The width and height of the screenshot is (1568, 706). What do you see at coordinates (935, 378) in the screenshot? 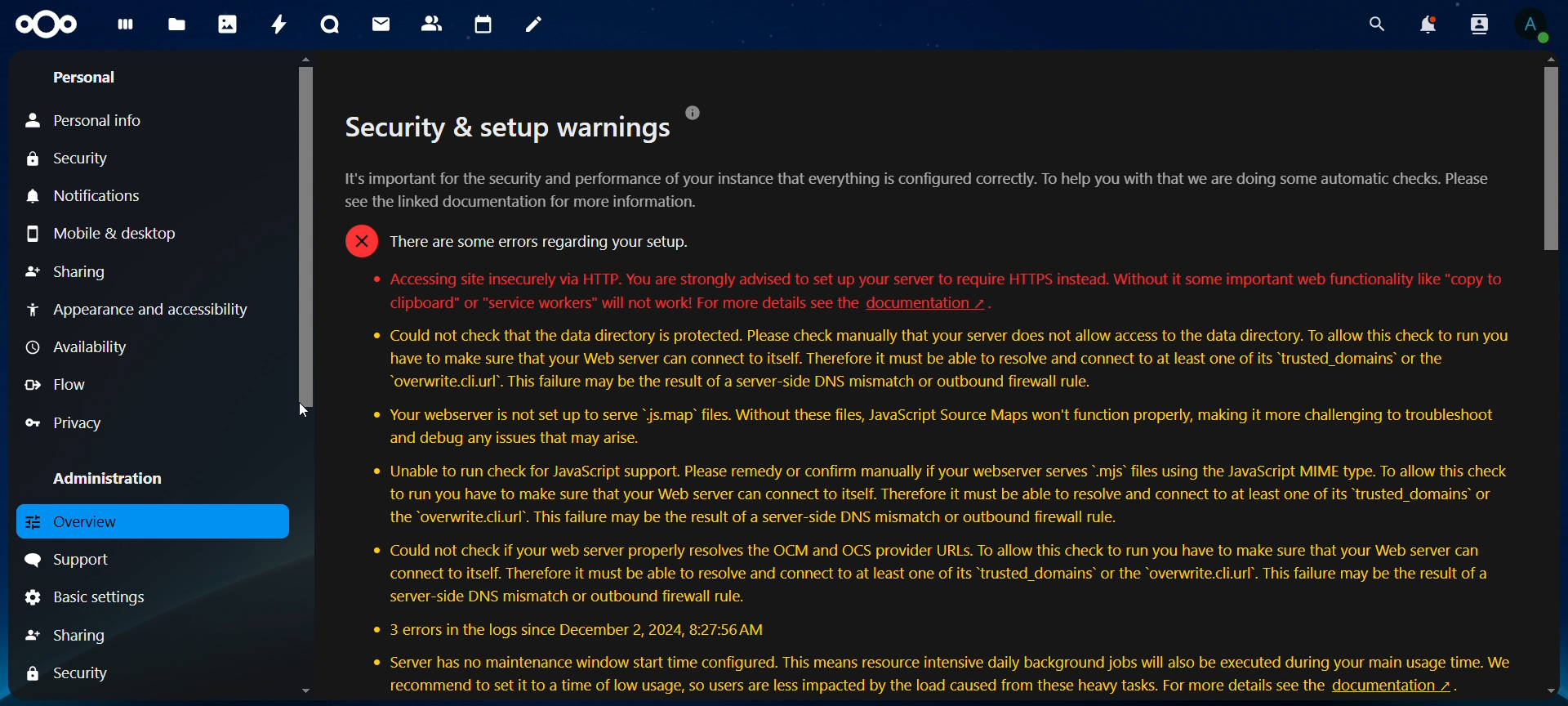
I see `. . [J]
Security & setup warnings
It's important for the security and performance of your instance that everything is configured correctly. To help you with that we are doing some automatic checks. Please
see the linked documentation for more information.
x] There are some errors regarding your setup.

* Accessing site insecurely via HTTP. You are strongly advised to set up your server to require HTTPS instead. Without it some important web functionality like “copy to
clipboard” or "service workers" will not work! For more details see the documentation ~ .

* Could not check that the data directory is protected. Please check manually that your server does not allow access to the data directory. To allow this check to run you
have to make sure that your Web server can connect to itself. Therefore it must be able to resolve and connect to at least one of its “trusted_domains™ or the
“overwrite.cli.url”. This failure may be the result of a server-side DNS mismatch or outbound firewall rule.

* Your webserver is not set up to serve "js.map’ files. Without these files, JavaScript Source Maps won't function properly, making it more challenging to troubleshoot
and debug any issues that may arise.

* Unable to run check for JavaScript support. Please remedy or confirm manually if your webserver serves "mjs’ files using the JavaScript MIME type. To allow this check
to run you have to make sure that your Web server can connect to itself. Therefore it must be able to resolve and connect to at least one of its “trusted_domains’ or

] the “overwrite.cli.url’. This failure may be the result of a server-side DNS mismatch or outbound firewall rule.

* Could not check if your web server properly resolves the OCM and OCS provider URLs. To allow this check to run you have to make sure that your Web server can
connect to itself. Therefore it must be able to resolve and connect to at least one of its “trusted_domains’ or the “overwrite.cli.url’. This failure may be the result of a
server-side DNS mismatch or outbound firewall rule.

* 3 errors in the logs since December 2, 2024, 8:27:56 AM

* Server has no maintenance window start time configured. This means resource intensive daily background jobs will also be executed during your main usage time. We

~ recommend to set it to a time of low usage, so users are less impacted by the load caused from these heavy tasks. For more details see the documentation ~ .` at bounding box center [935, 378].